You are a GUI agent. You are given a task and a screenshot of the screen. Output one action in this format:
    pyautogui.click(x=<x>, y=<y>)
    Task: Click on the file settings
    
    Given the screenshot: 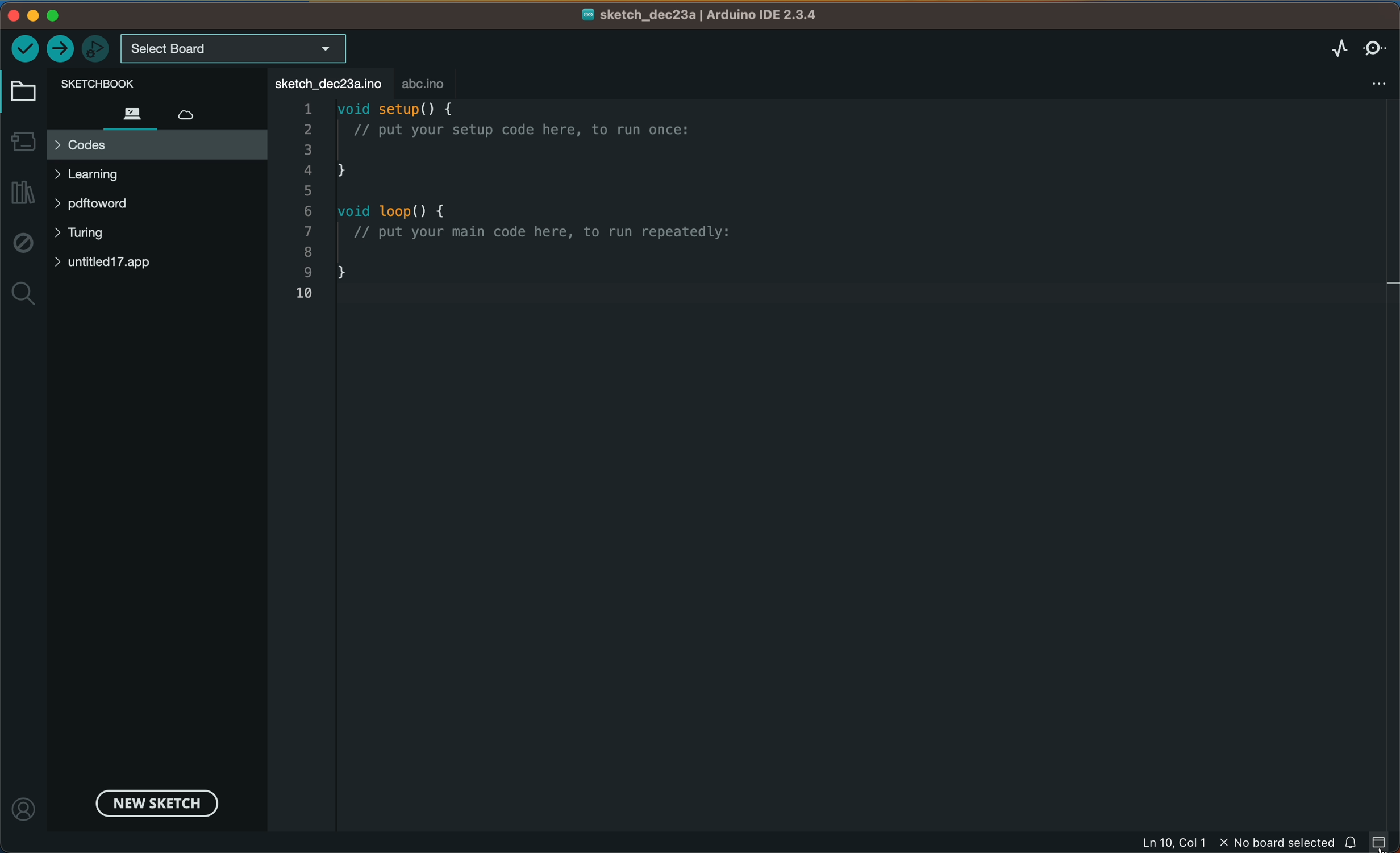 What is the action you would take?
    pyautogui.click(x=1380, y=82)
    